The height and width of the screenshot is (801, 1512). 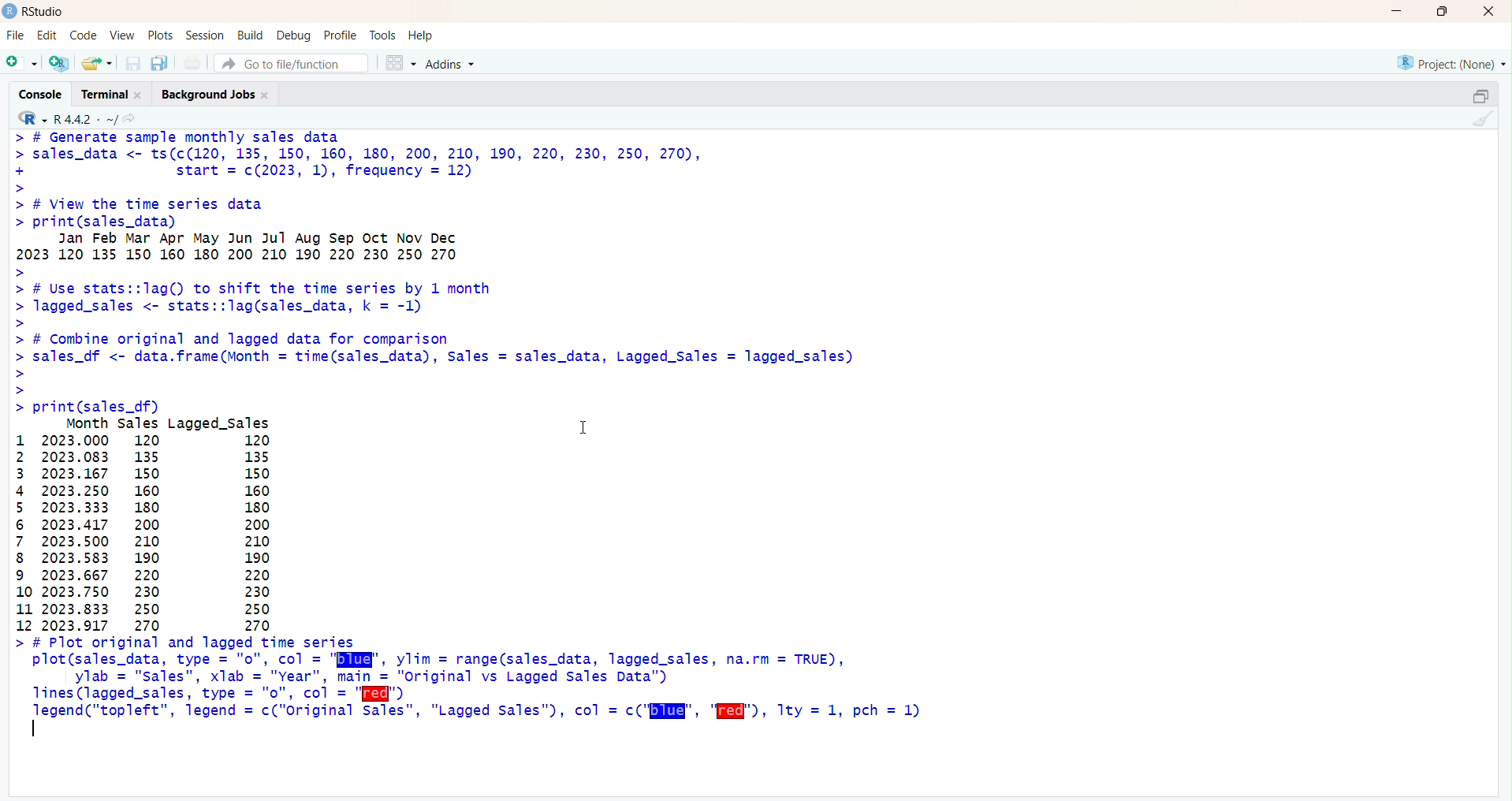 What do you see at coordinates (61, 63) in the screenshot?
I see `create a new project` at bounding box center [61, 63].